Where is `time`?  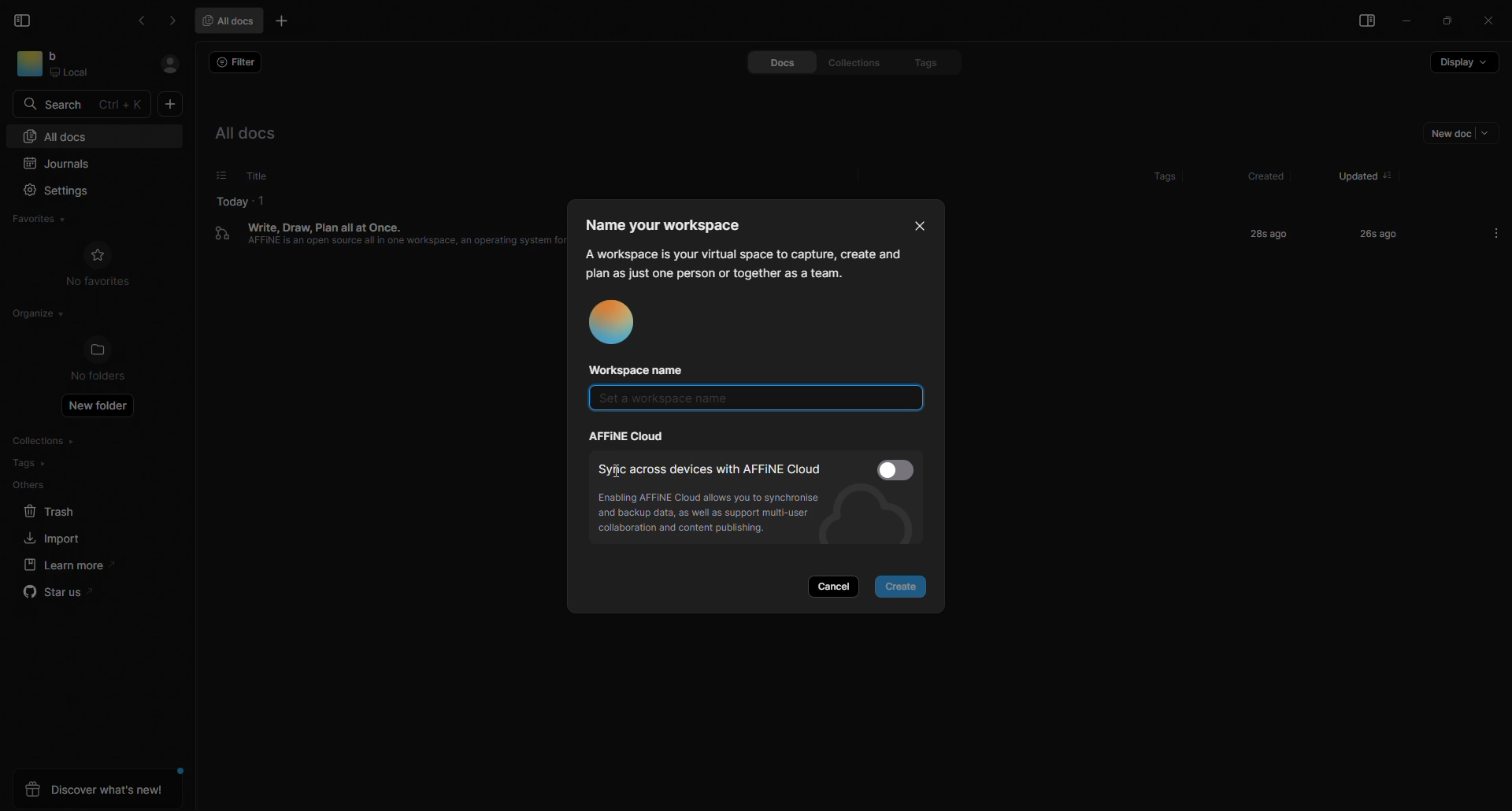 time is located at coordinates (1265, 233).